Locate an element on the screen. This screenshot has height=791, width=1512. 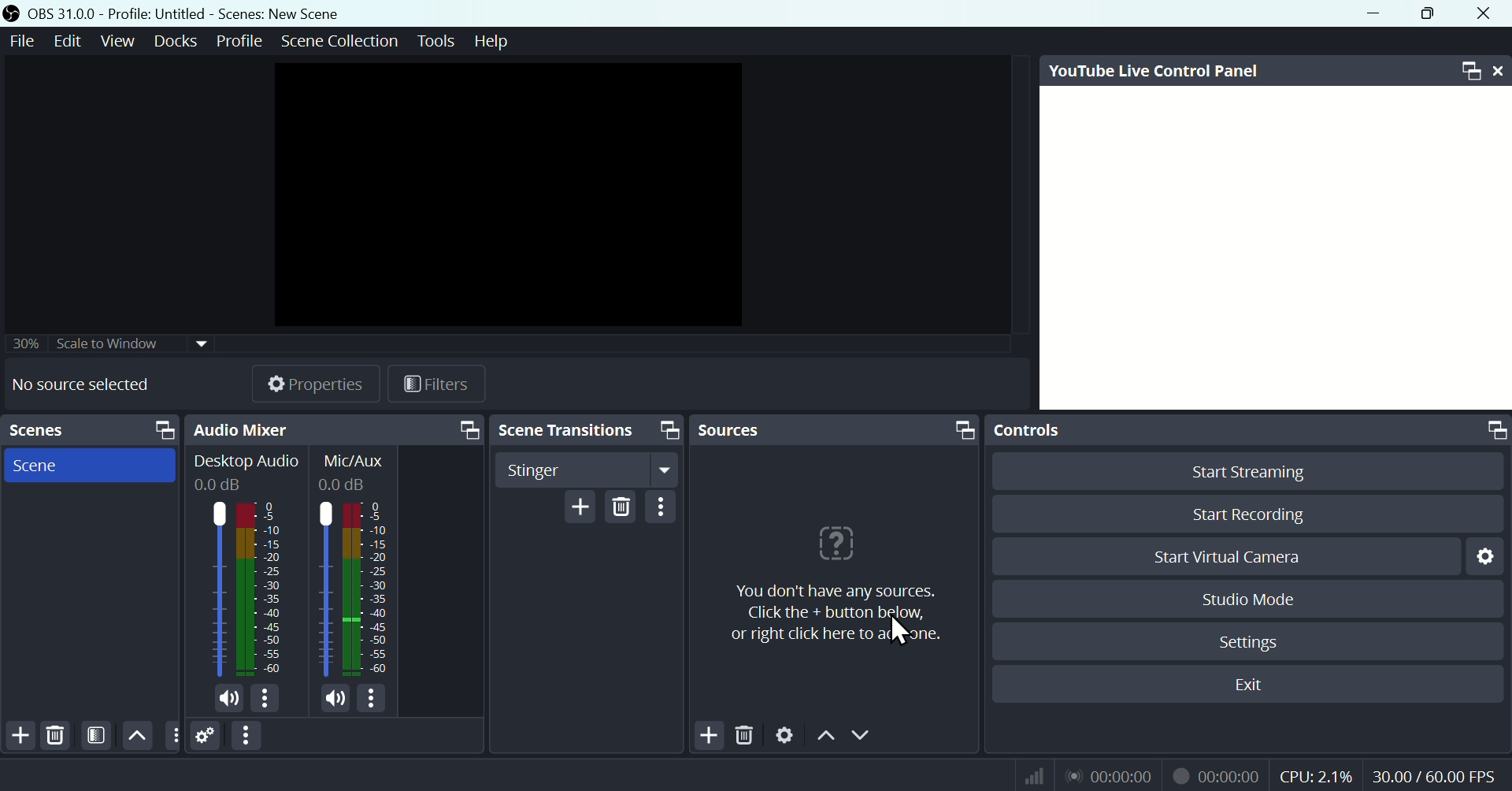
screen resize is located at coordinates (961, 429).